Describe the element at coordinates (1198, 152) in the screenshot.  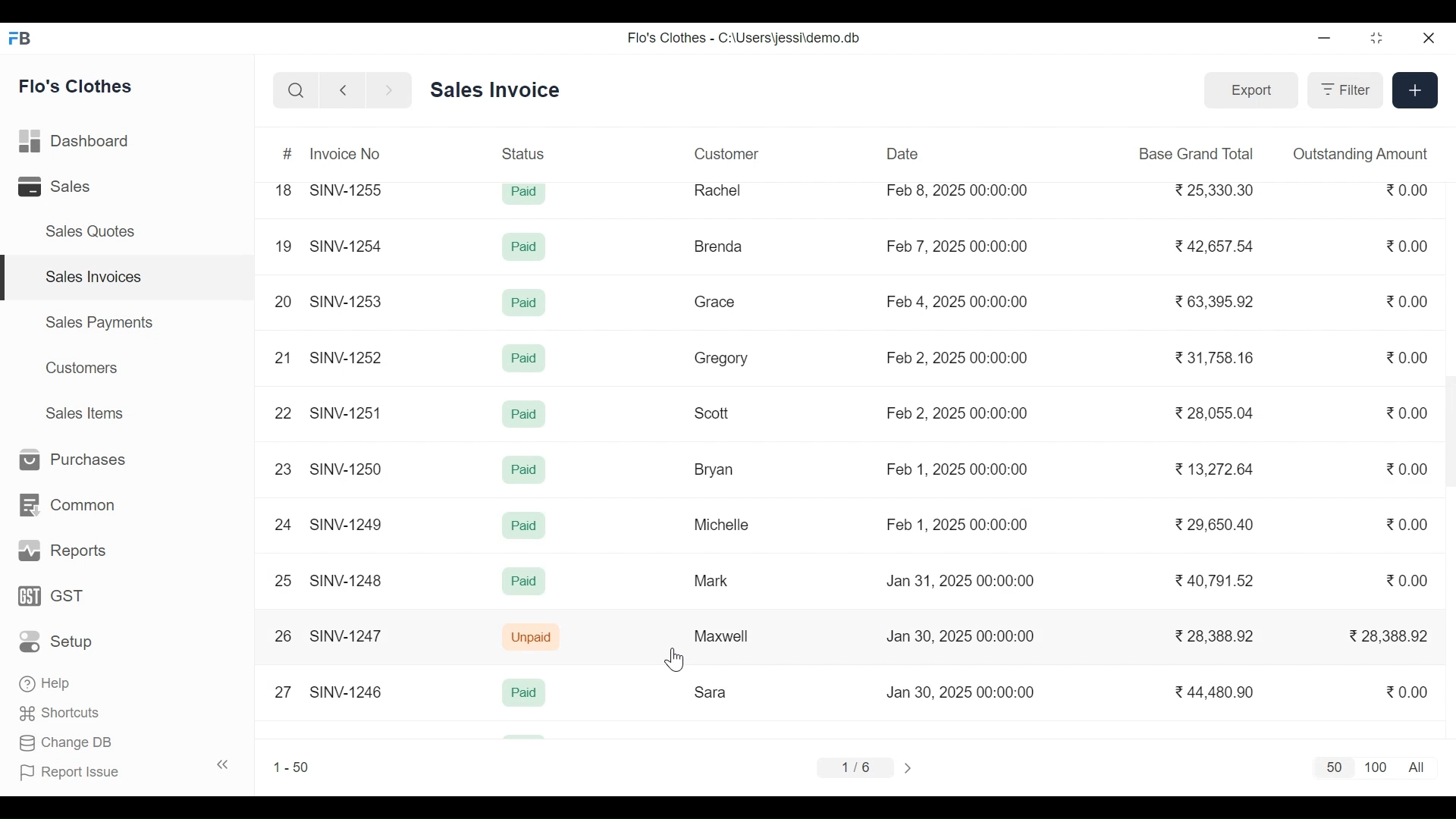
I see `Base Grand Total` at that location.